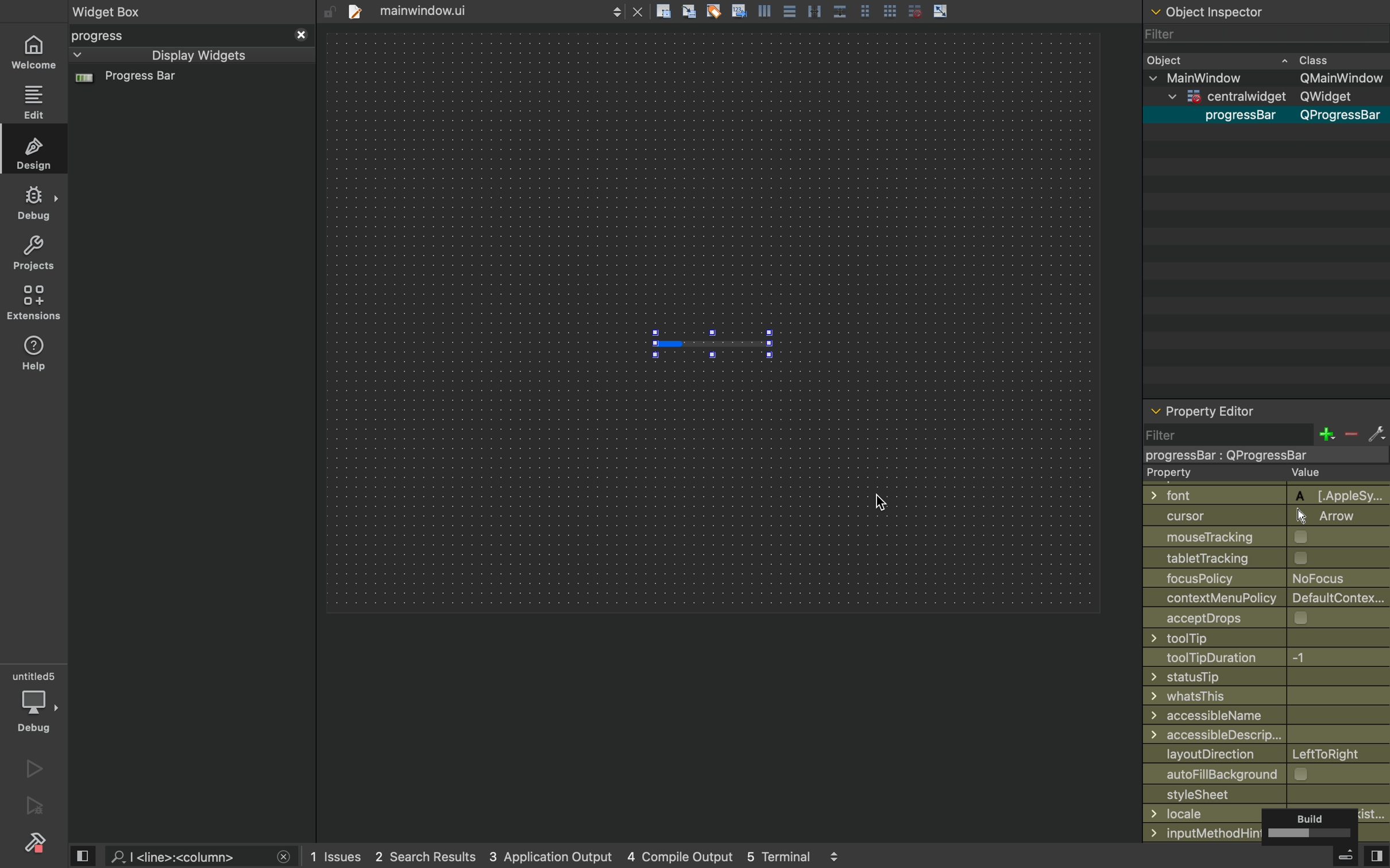  Describe the element at coordinates (1254, 59) in the screenshot. I see `object` at that location.